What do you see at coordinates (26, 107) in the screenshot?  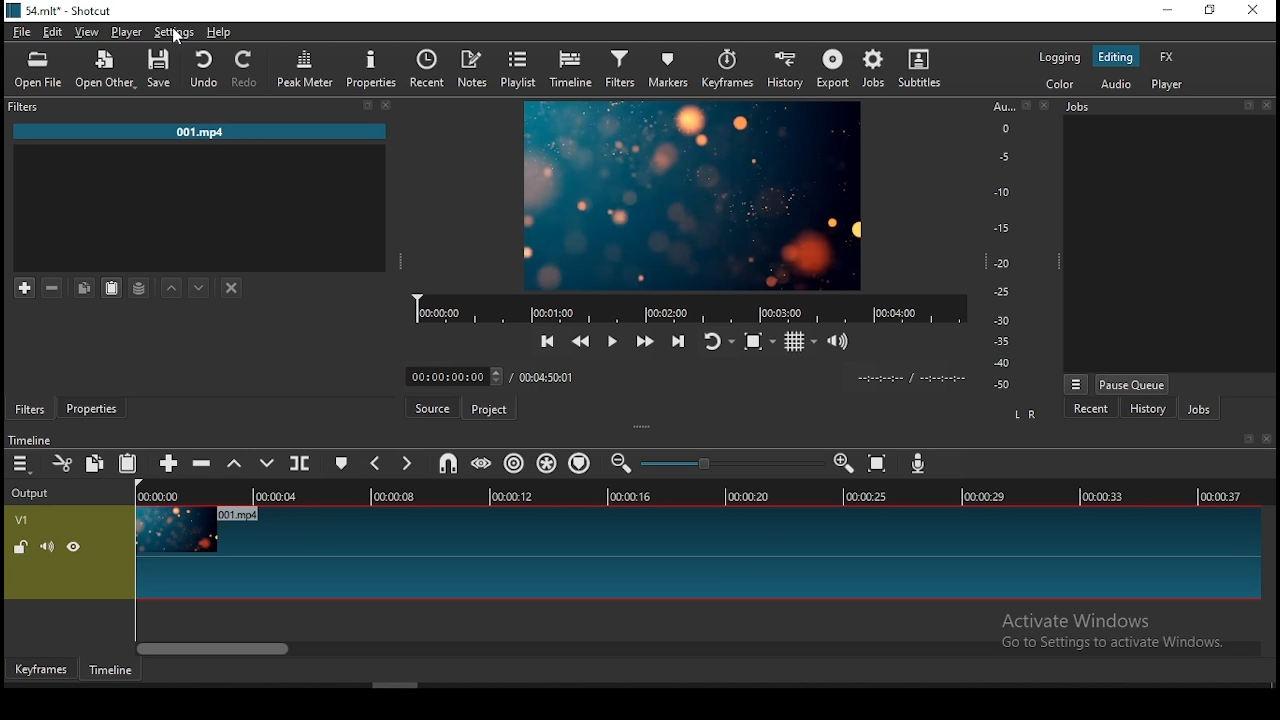 I see `Filter` at bounding box center [26, 107].